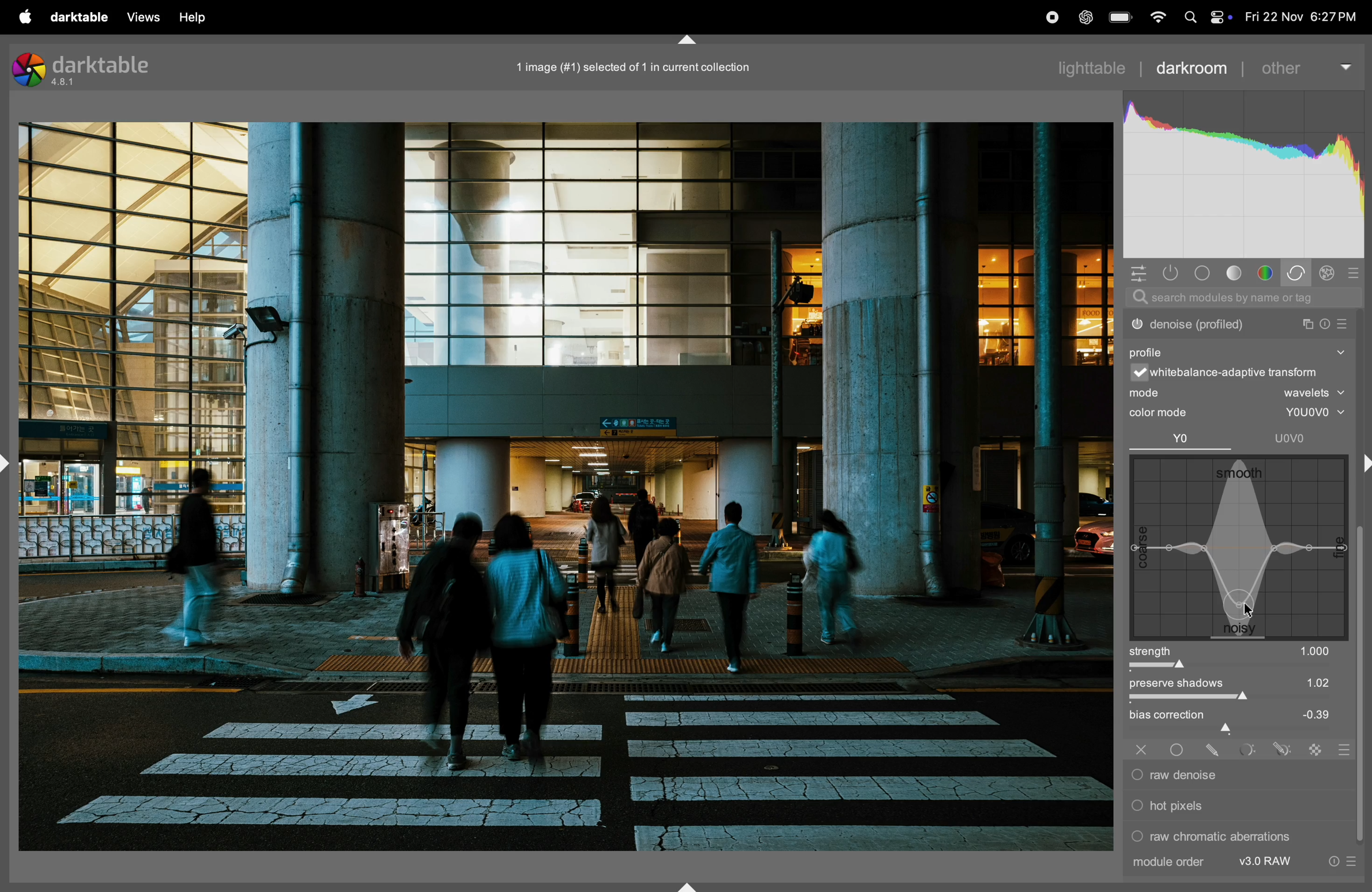  Describe the element at coordinates (1283, 749) in the screenshot. I see `drawn & parametric mask` at that location.